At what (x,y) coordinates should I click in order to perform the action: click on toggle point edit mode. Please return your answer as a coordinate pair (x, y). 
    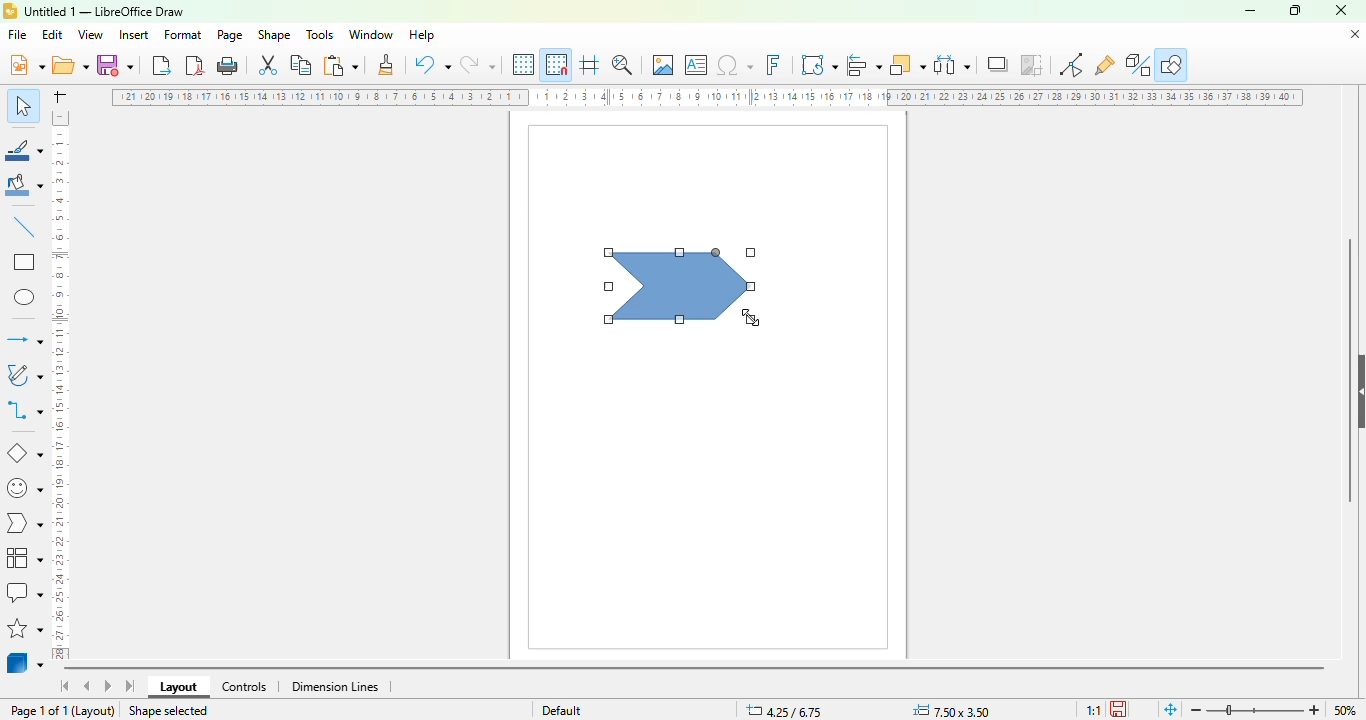
    Looking at the image, I should click on (1071, 64).